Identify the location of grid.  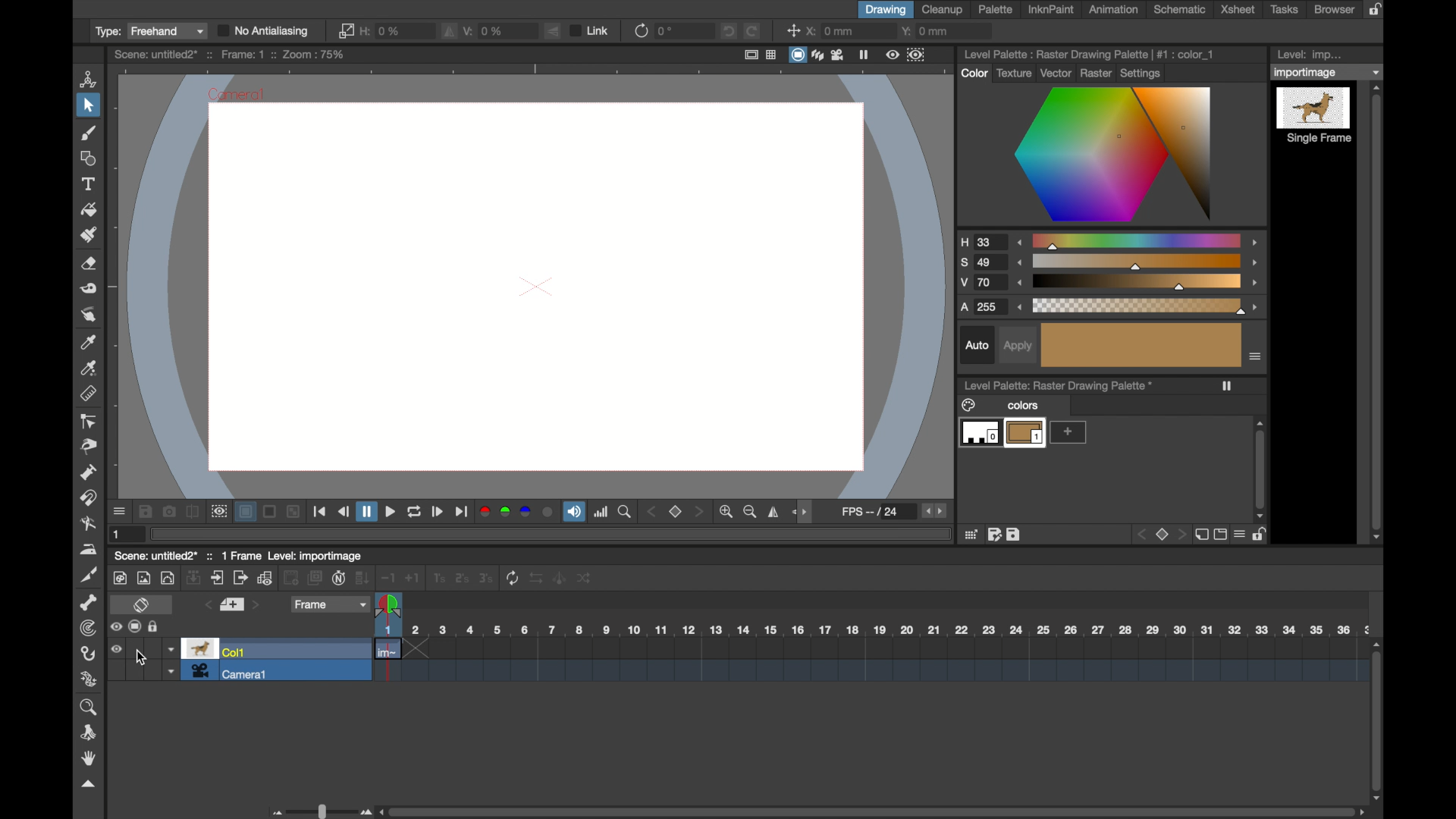
(971, 534).